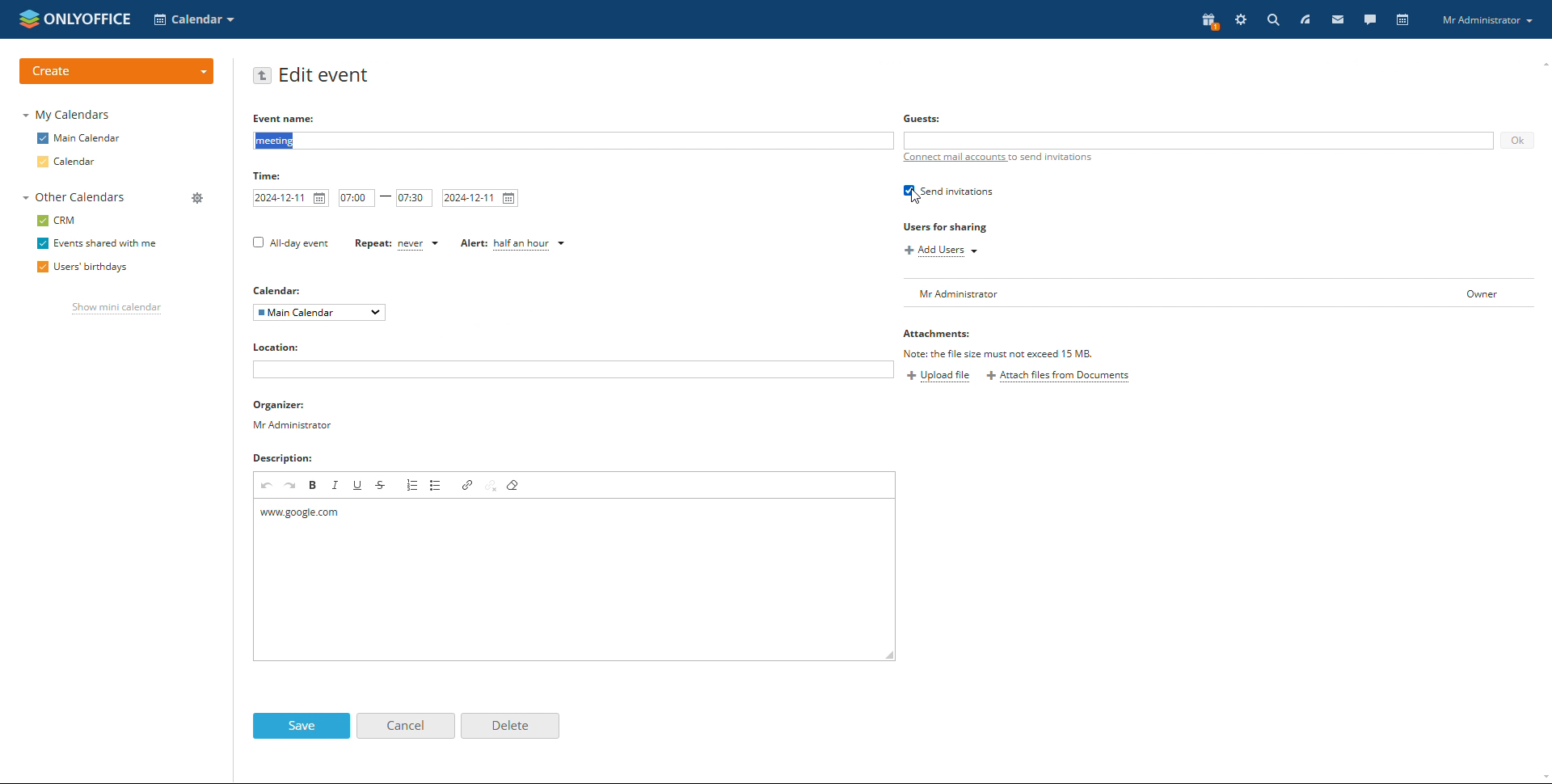 The height and width of the screenshot is (784, 1552). Describe the element at coordinates (1518, 141) in the screenshot. I see `ok` at that location.